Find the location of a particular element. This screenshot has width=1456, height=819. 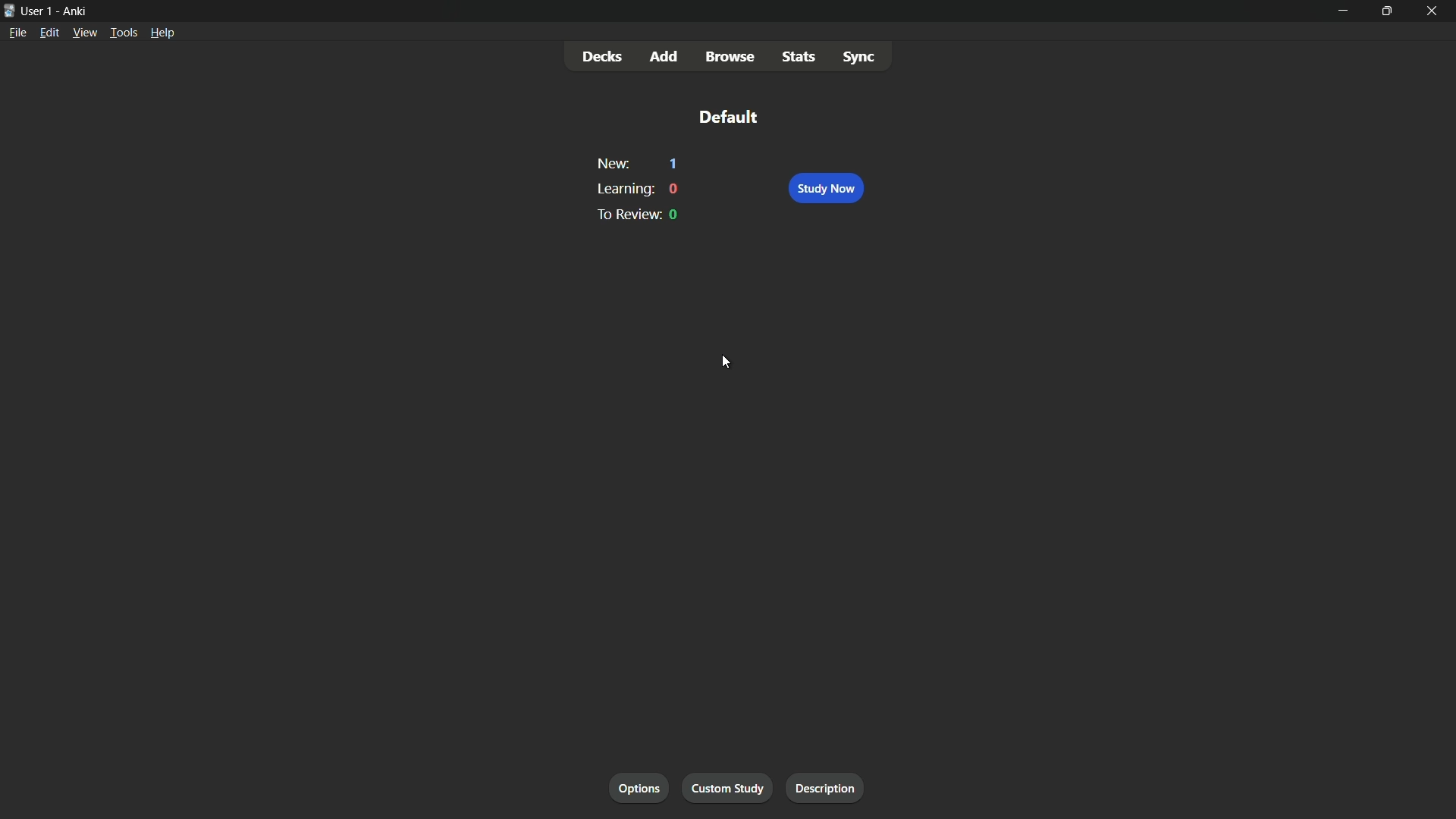

stats is located at coordinates (799, 58).